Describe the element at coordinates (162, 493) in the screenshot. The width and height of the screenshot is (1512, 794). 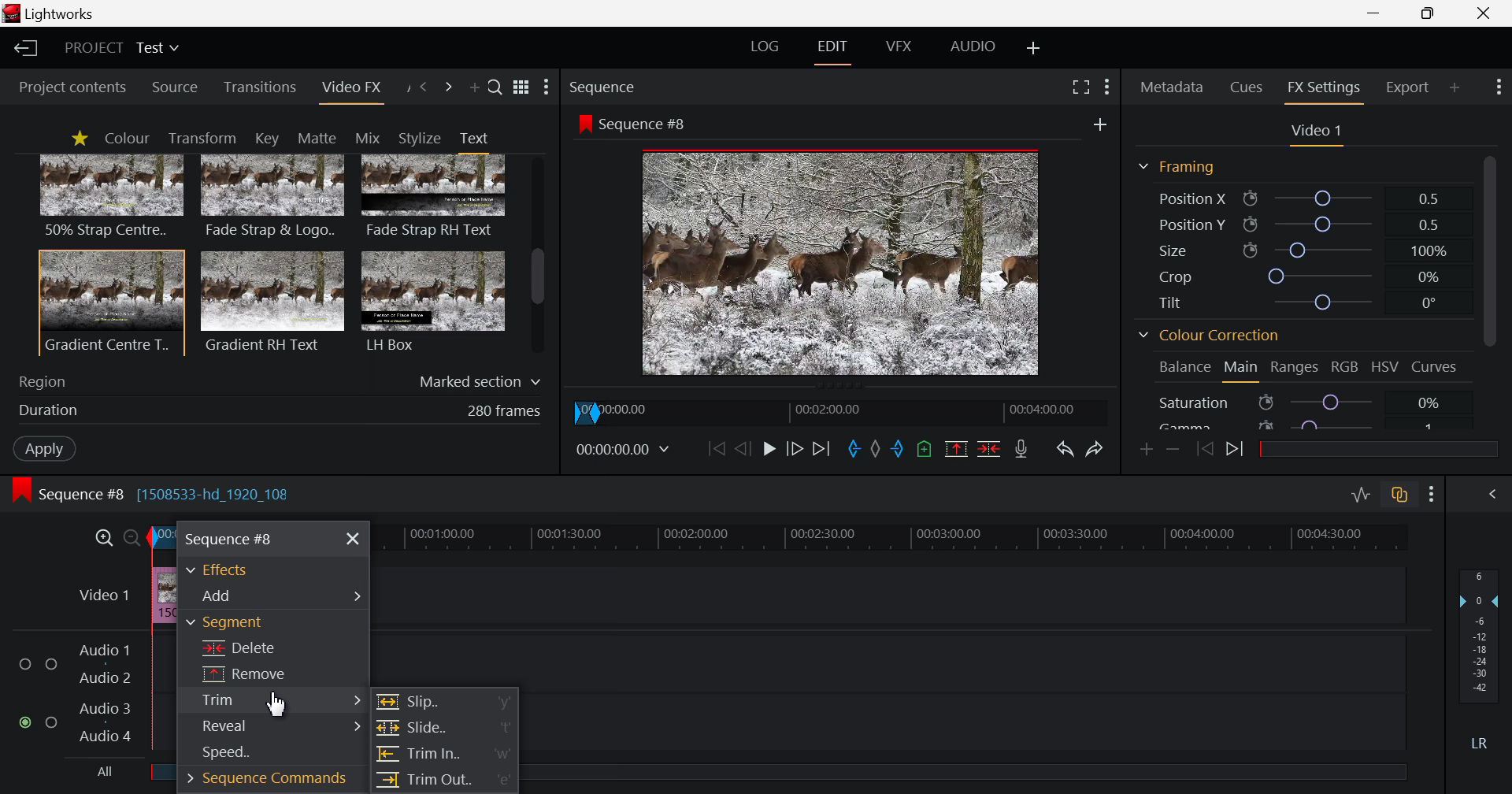
I see `Sequence #8 [1508533-hd_1920_108` at that location.